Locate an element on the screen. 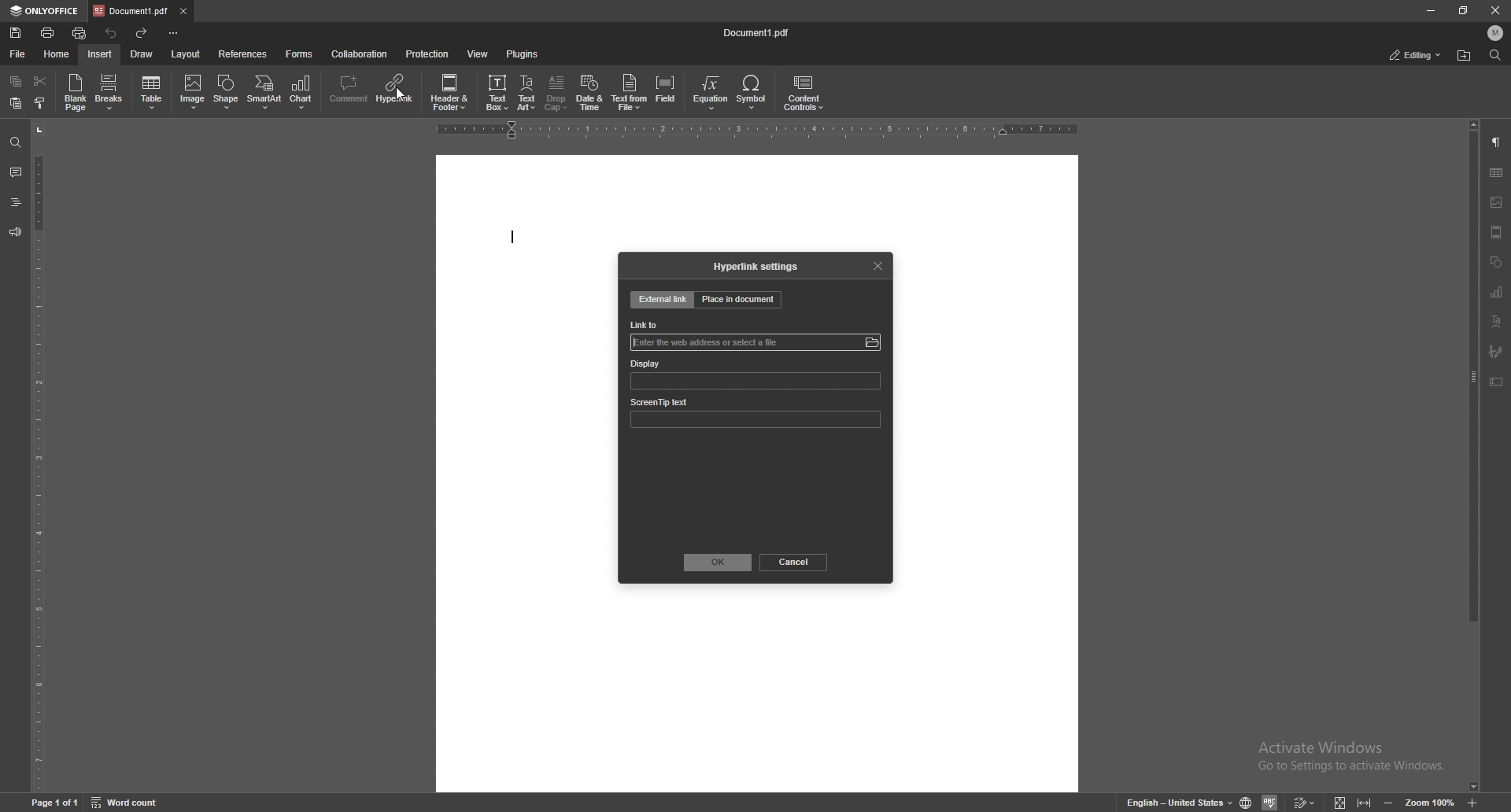 The image size is (1511, 812). zoom in is located at coordinates (1473, 803).